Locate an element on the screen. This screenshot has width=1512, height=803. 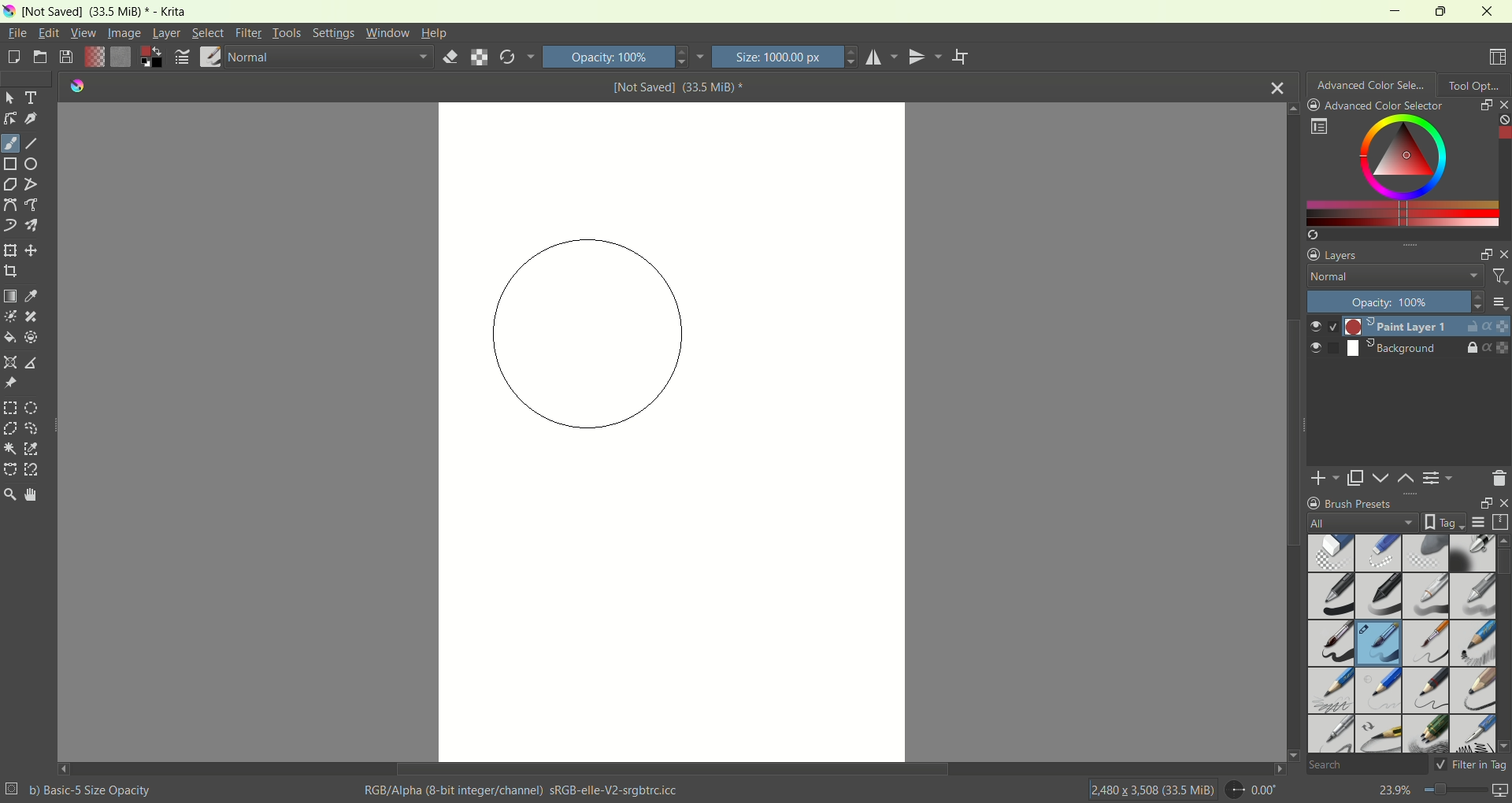
help is located at coordinates (435, 35).